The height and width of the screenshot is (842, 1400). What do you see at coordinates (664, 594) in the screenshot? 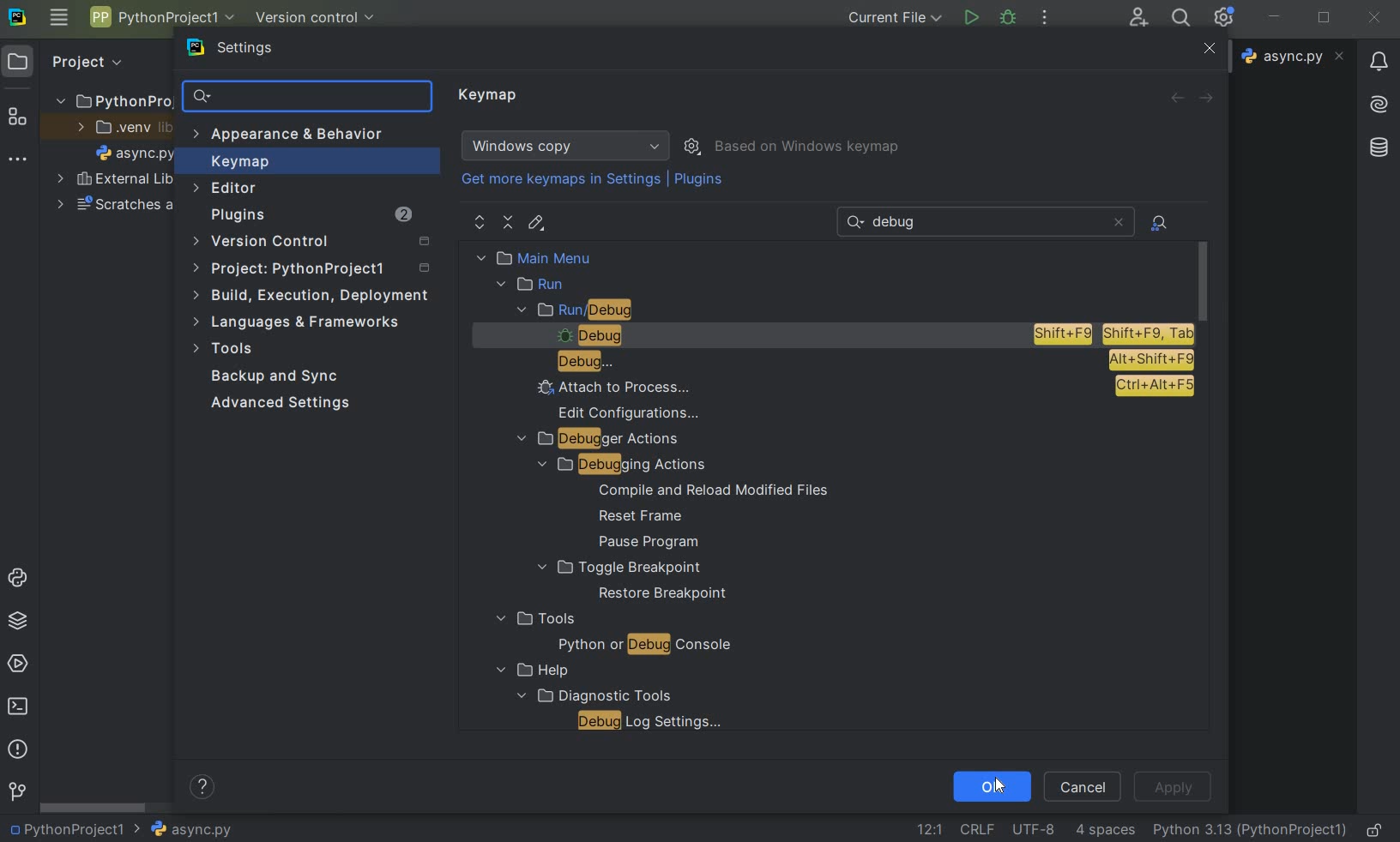
I see `restore breakpoint` at bounding box center [664, 594].